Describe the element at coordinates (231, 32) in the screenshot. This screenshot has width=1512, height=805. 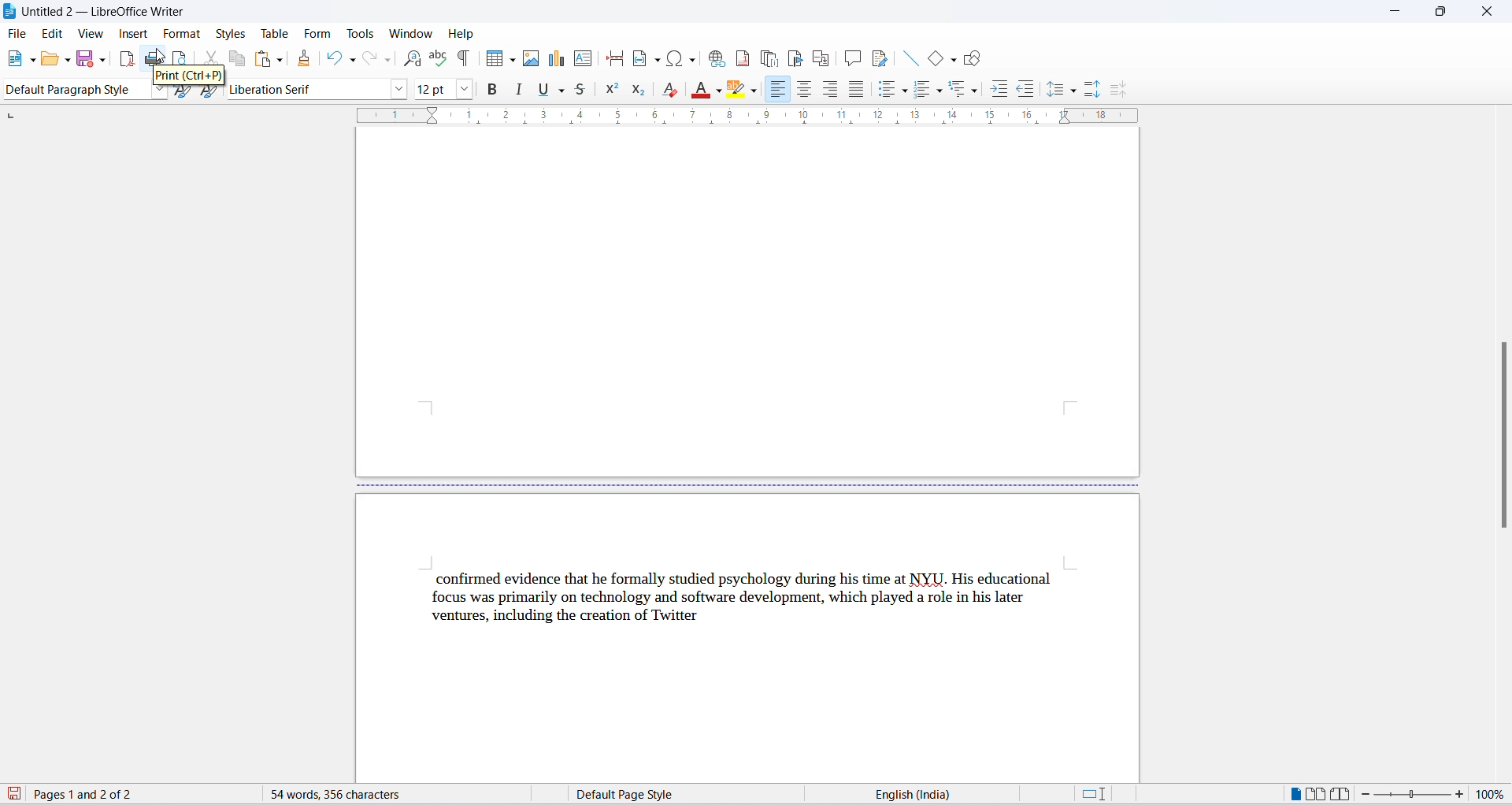
I see `styles` at that location.